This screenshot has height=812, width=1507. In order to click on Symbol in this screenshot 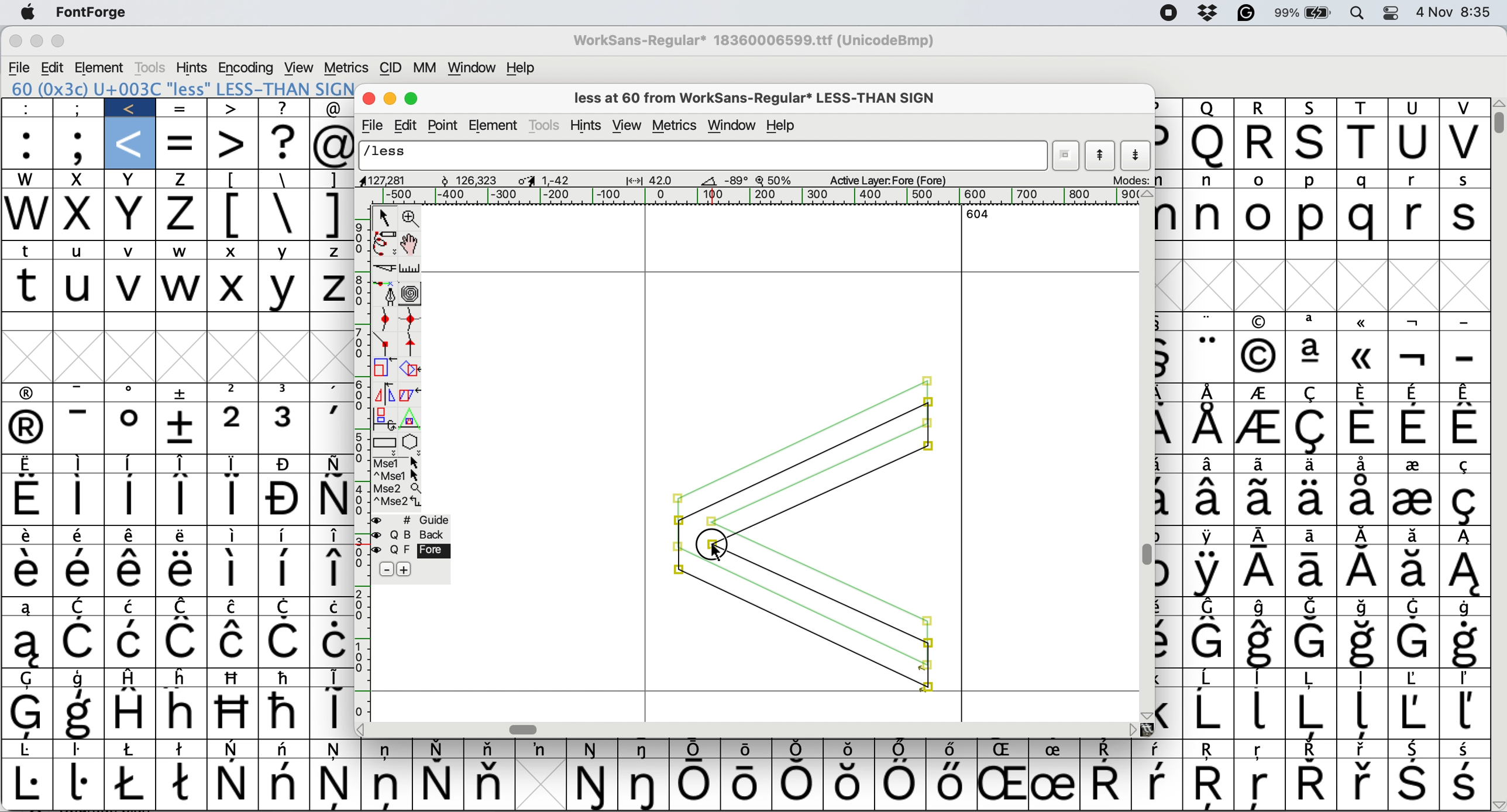, I will do `click(494, 748)`.